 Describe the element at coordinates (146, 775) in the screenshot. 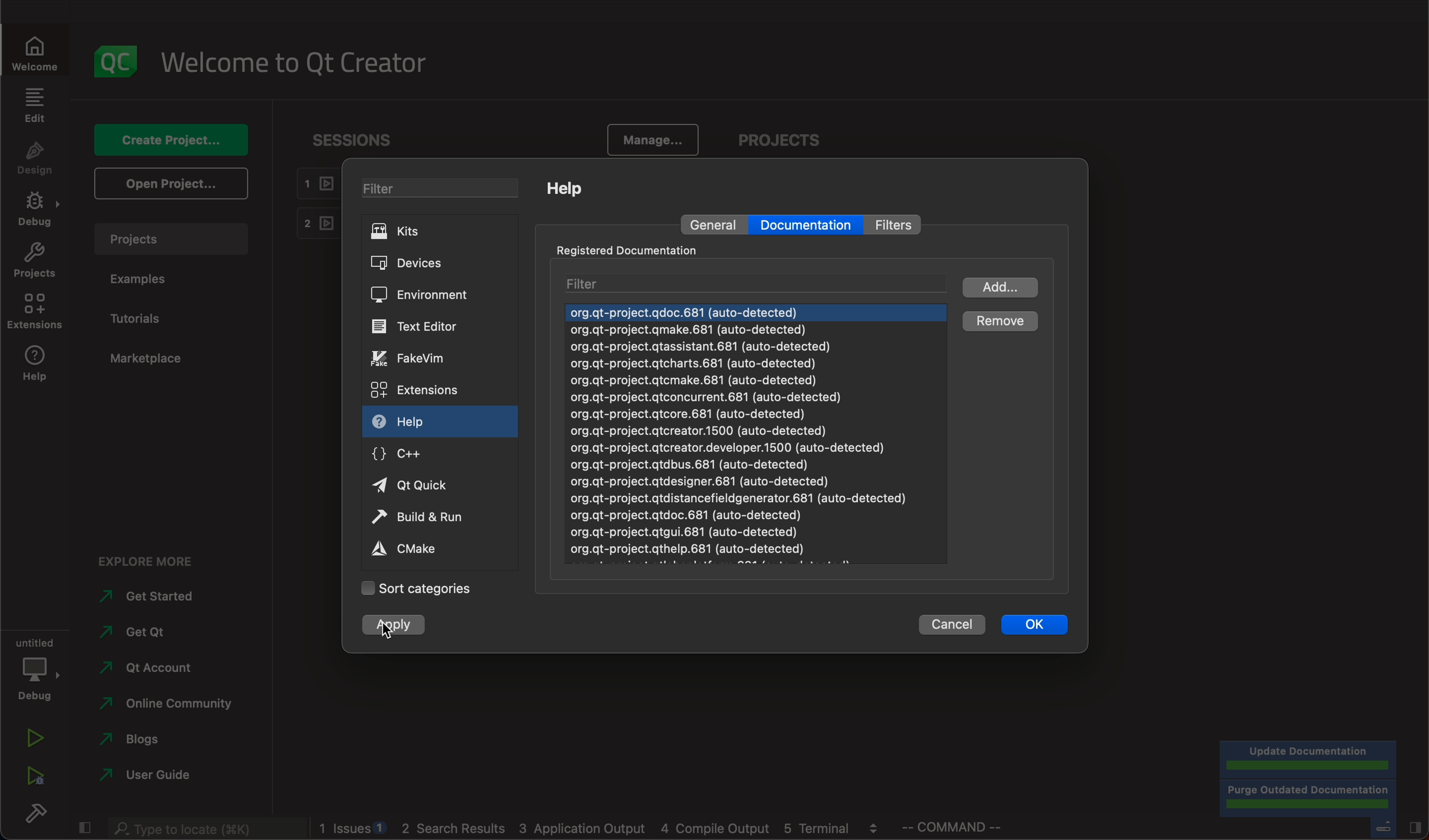

I see `guide` at that location.